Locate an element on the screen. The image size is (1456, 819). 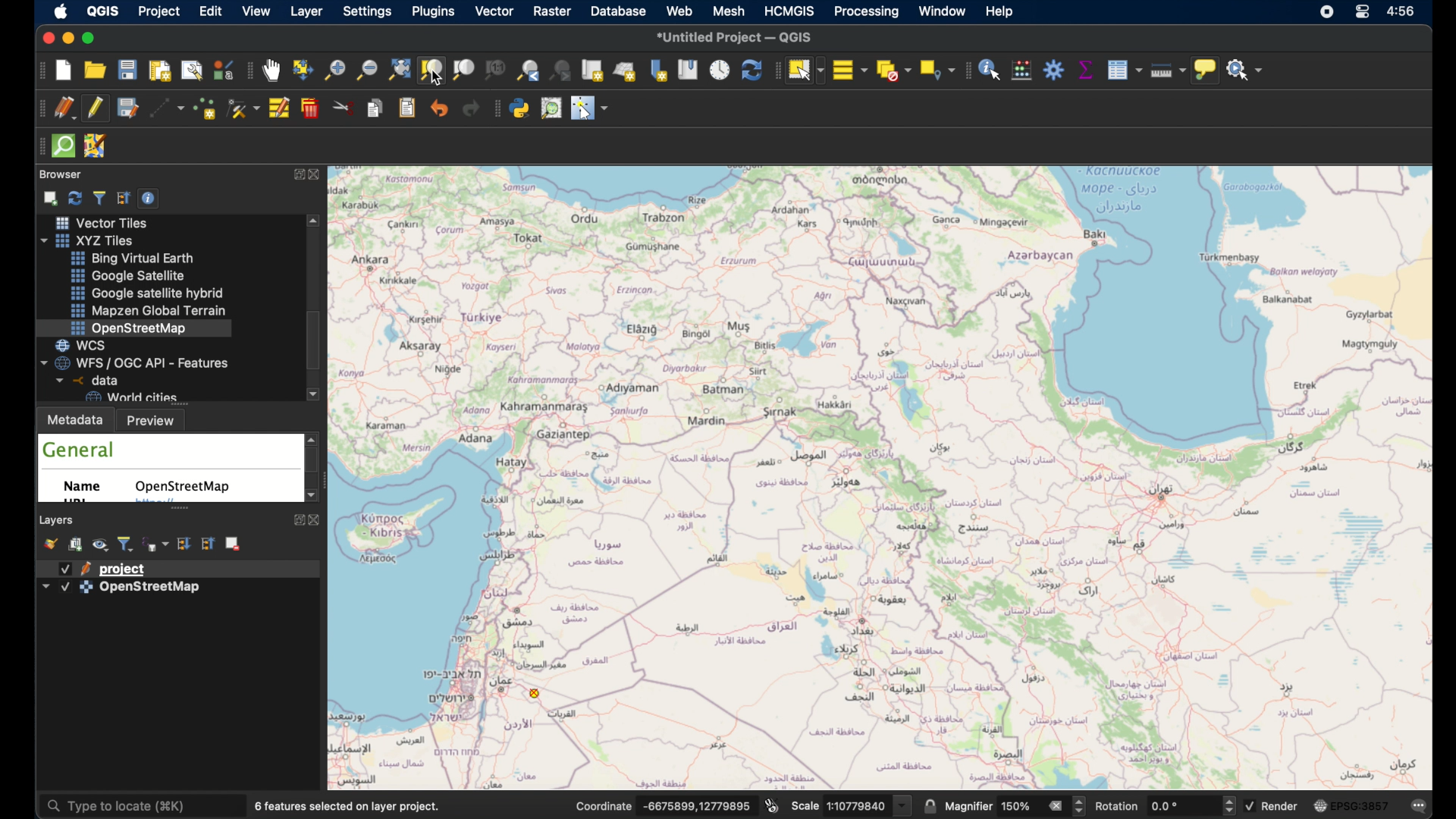
expand is located at coordinates (297, 522).